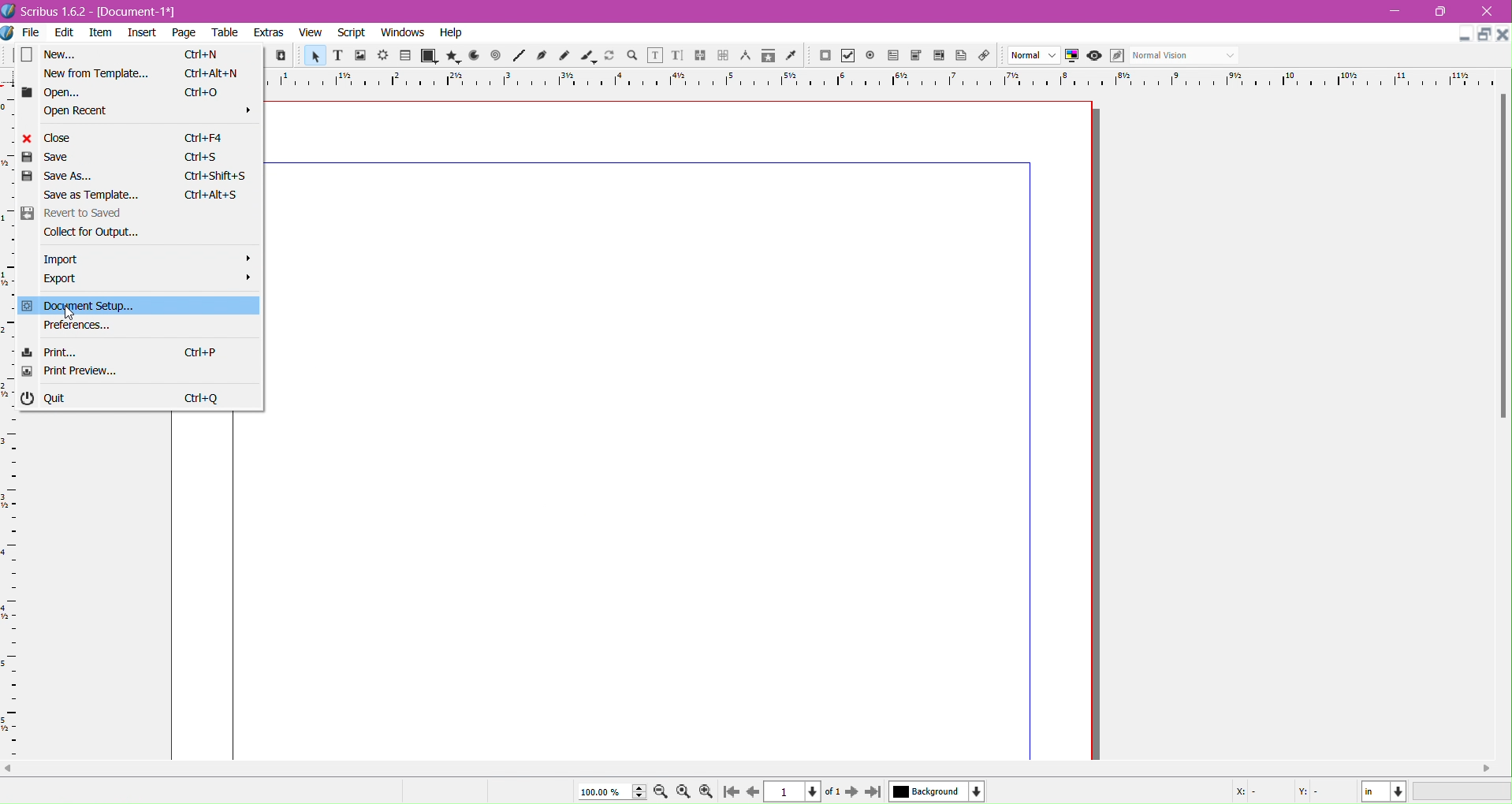 The image size is (1512, 804). What do you see at coordinates (678, 430) in the screenshot?
I see `document` at bounding box center [678, 430].